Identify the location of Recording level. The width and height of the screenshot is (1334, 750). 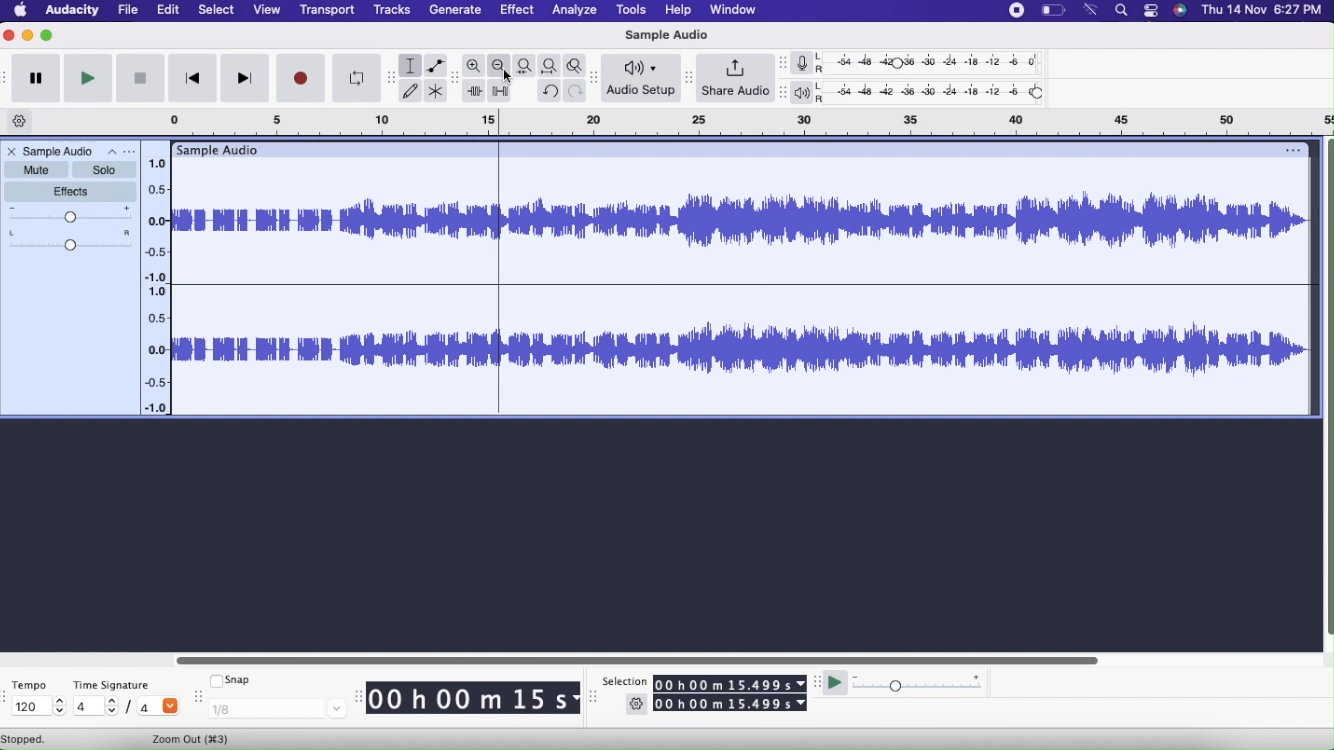
(940, 65).